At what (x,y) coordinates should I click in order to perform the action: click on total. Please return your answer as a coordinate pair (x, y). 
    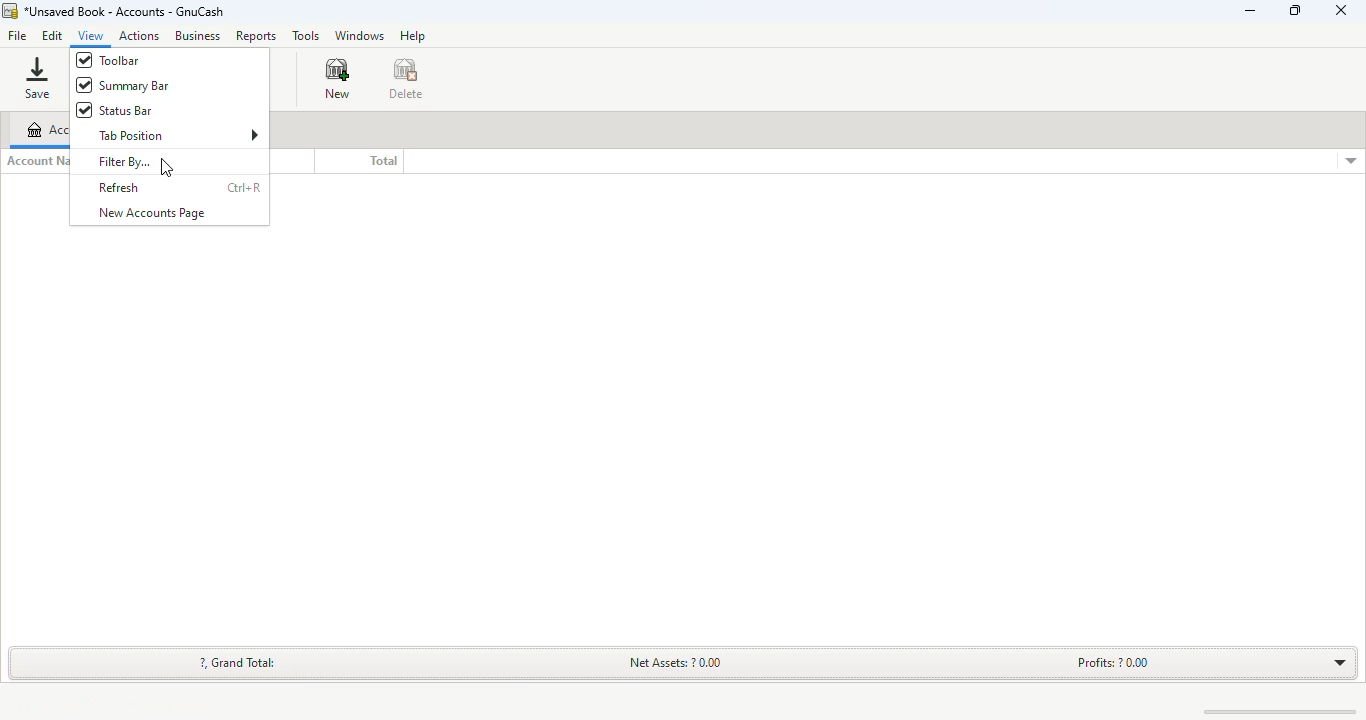
    Looking at the image, I should click on (383, 161).